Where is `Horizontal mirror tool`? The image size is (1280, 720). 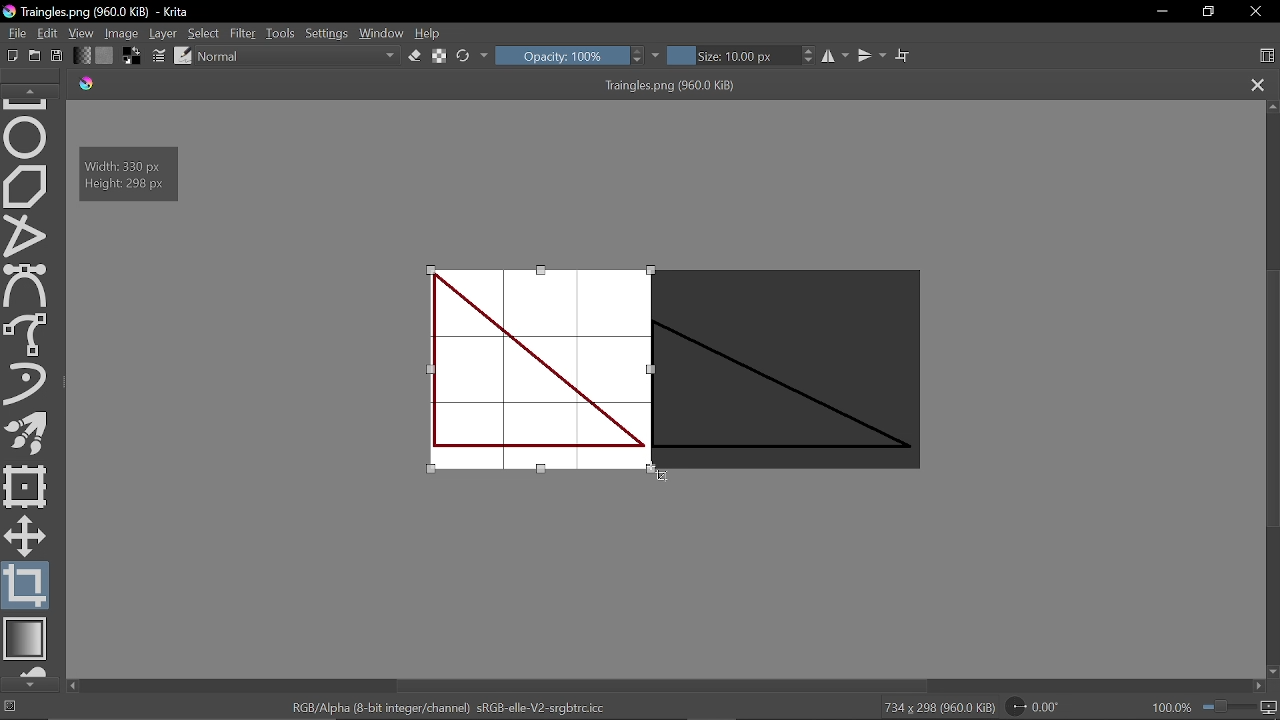
Horizontal mirror tool is located at coordinates (837, 56).